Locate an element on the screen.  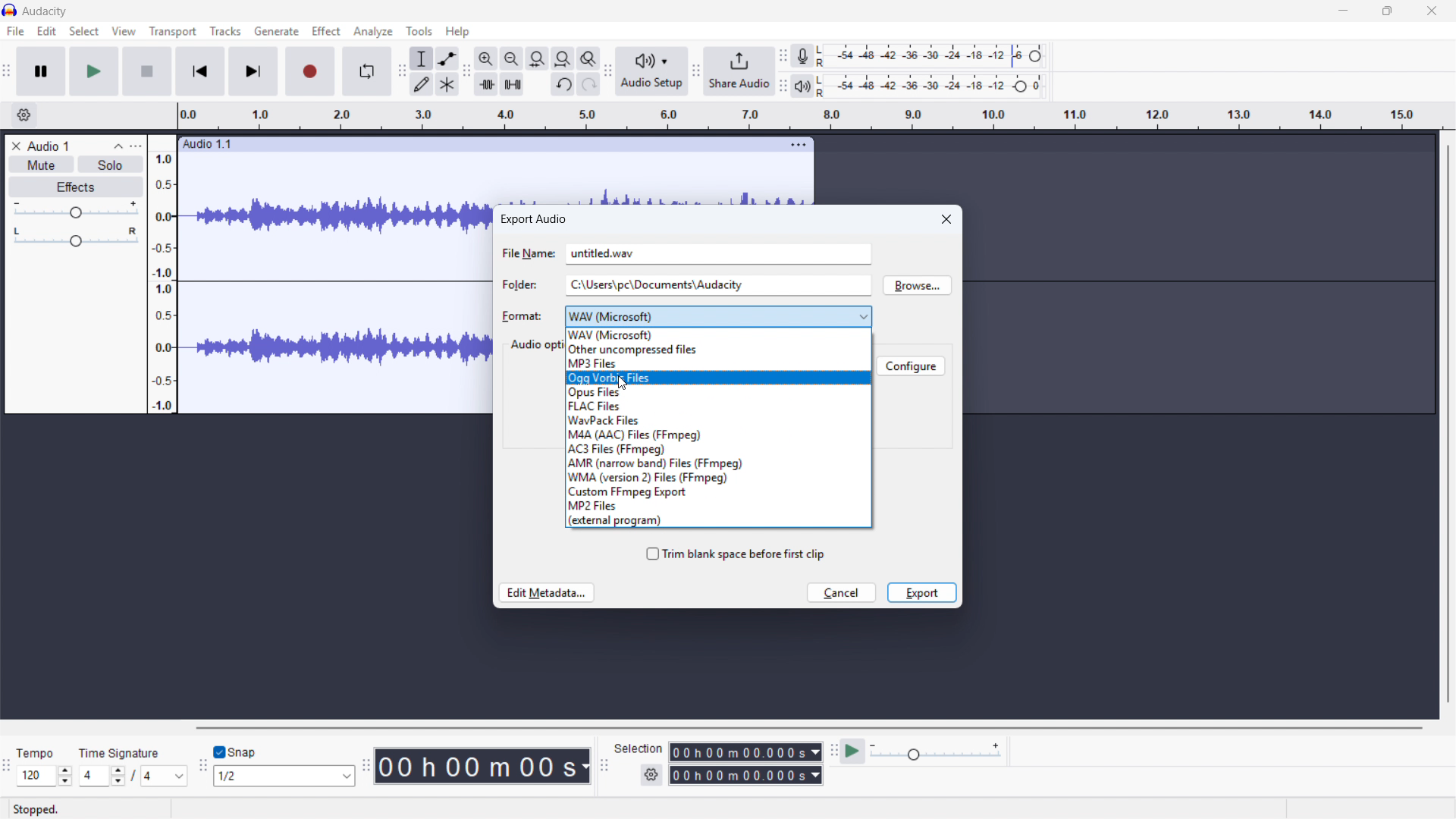
Logo  is located at coordinates (10, 10).